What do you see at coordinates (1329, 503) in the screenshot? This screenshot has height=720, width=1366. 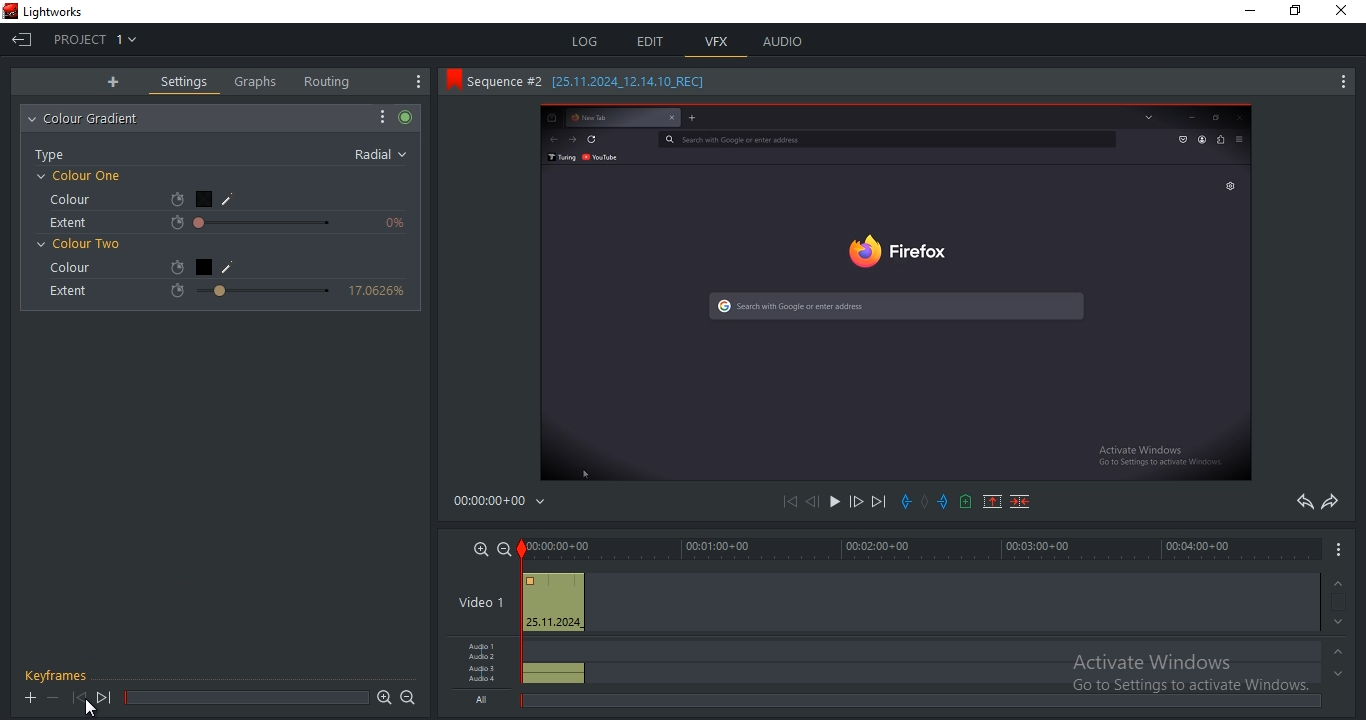 I see `redo` at bounding box center [1329, 503].